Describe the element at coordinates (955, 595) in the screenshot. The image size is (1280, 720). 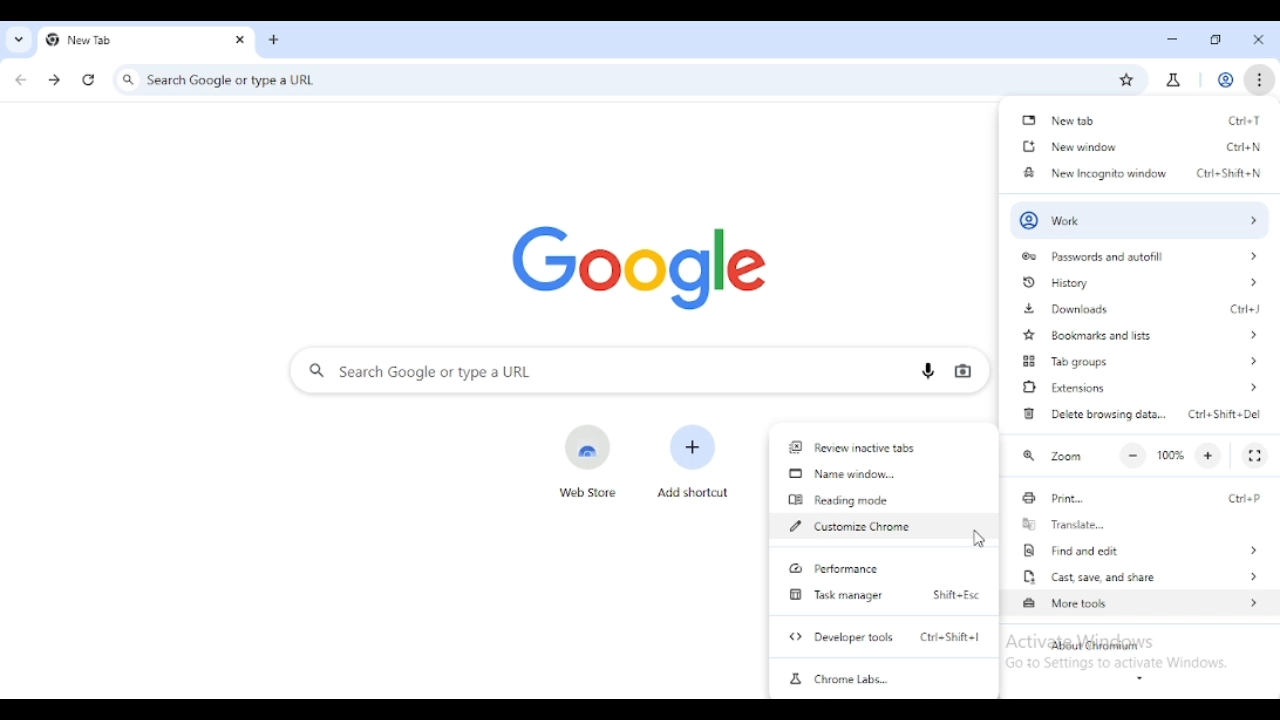
I see `shortcut for task manager` at that location.